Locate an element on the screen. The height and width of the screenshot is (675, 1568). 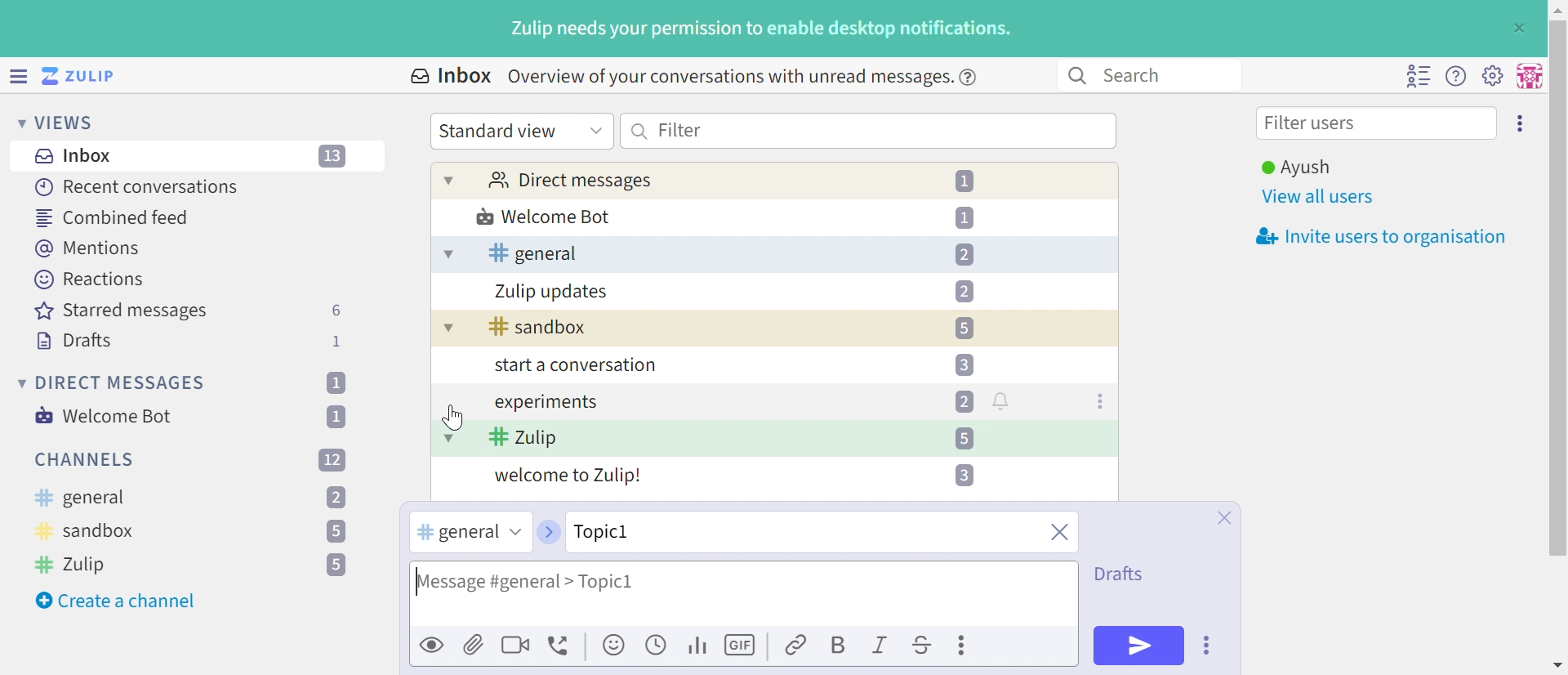
vertical scrollbar is located at coordinates (1558, 288).